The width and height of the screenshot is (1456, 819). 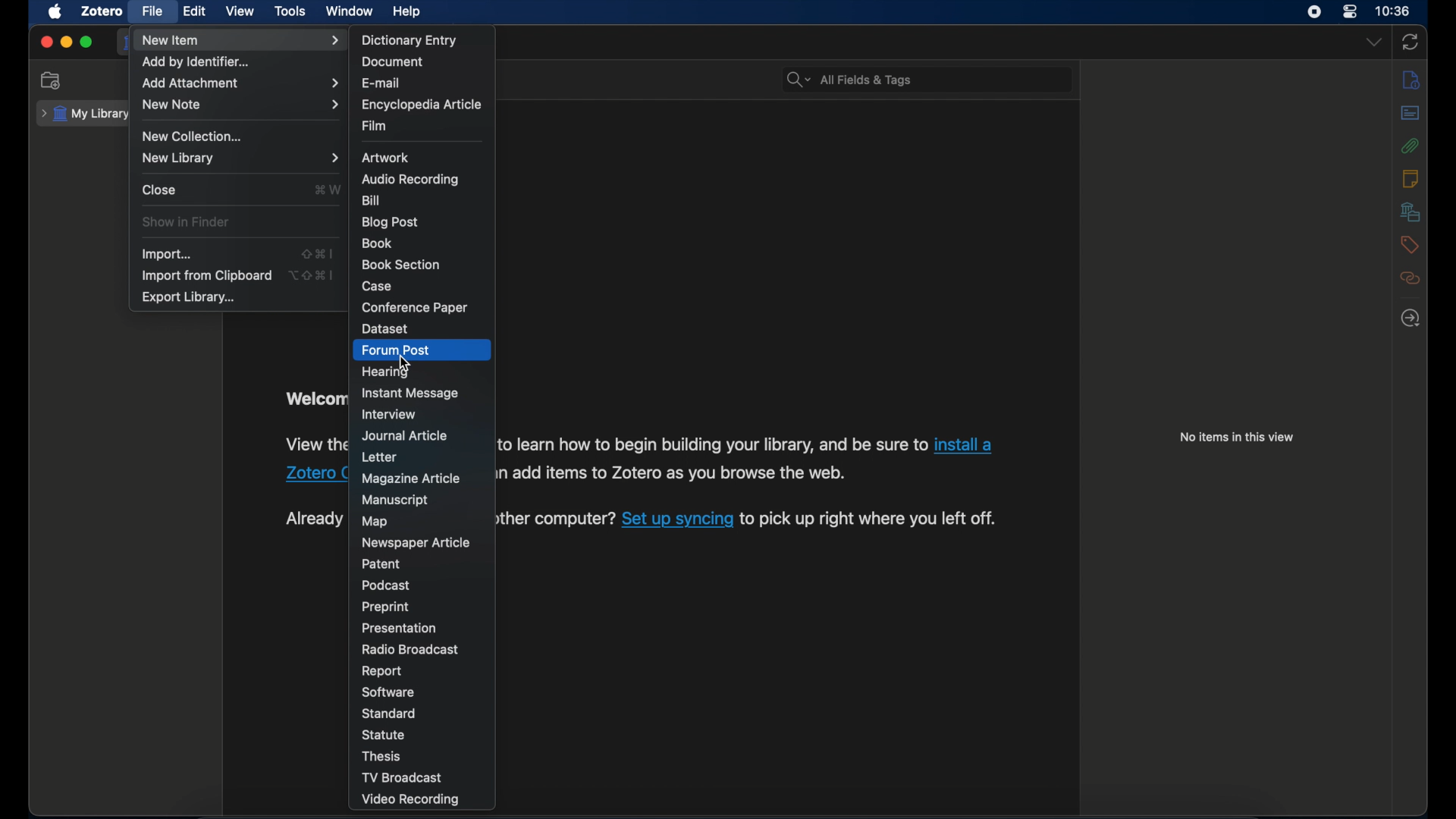 I want to click on obscure text, so click(x=314, y=519).